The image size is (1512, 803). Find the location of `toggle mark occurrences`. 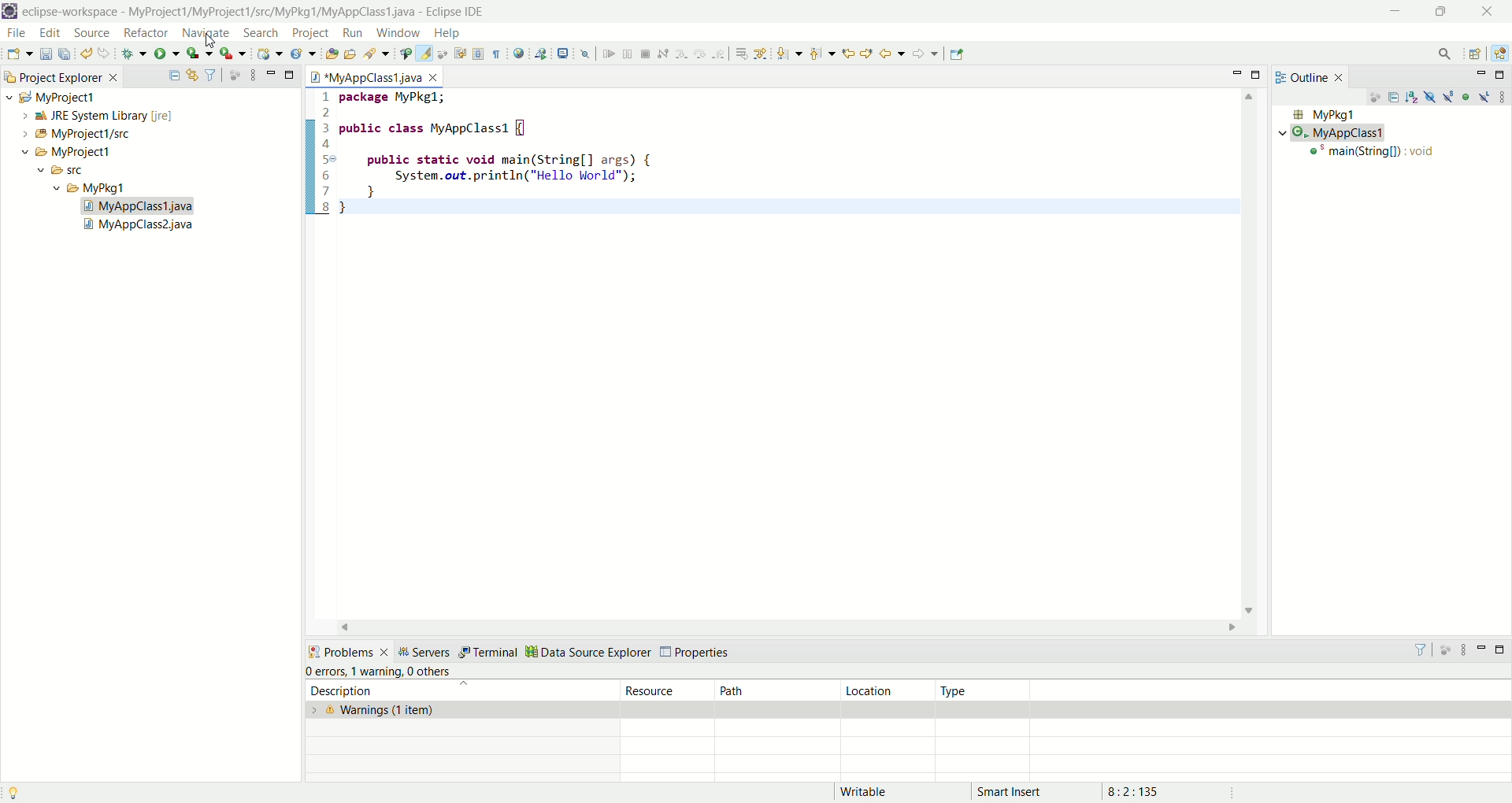

toggle mark occurrences is located at coordinates (426, 54).